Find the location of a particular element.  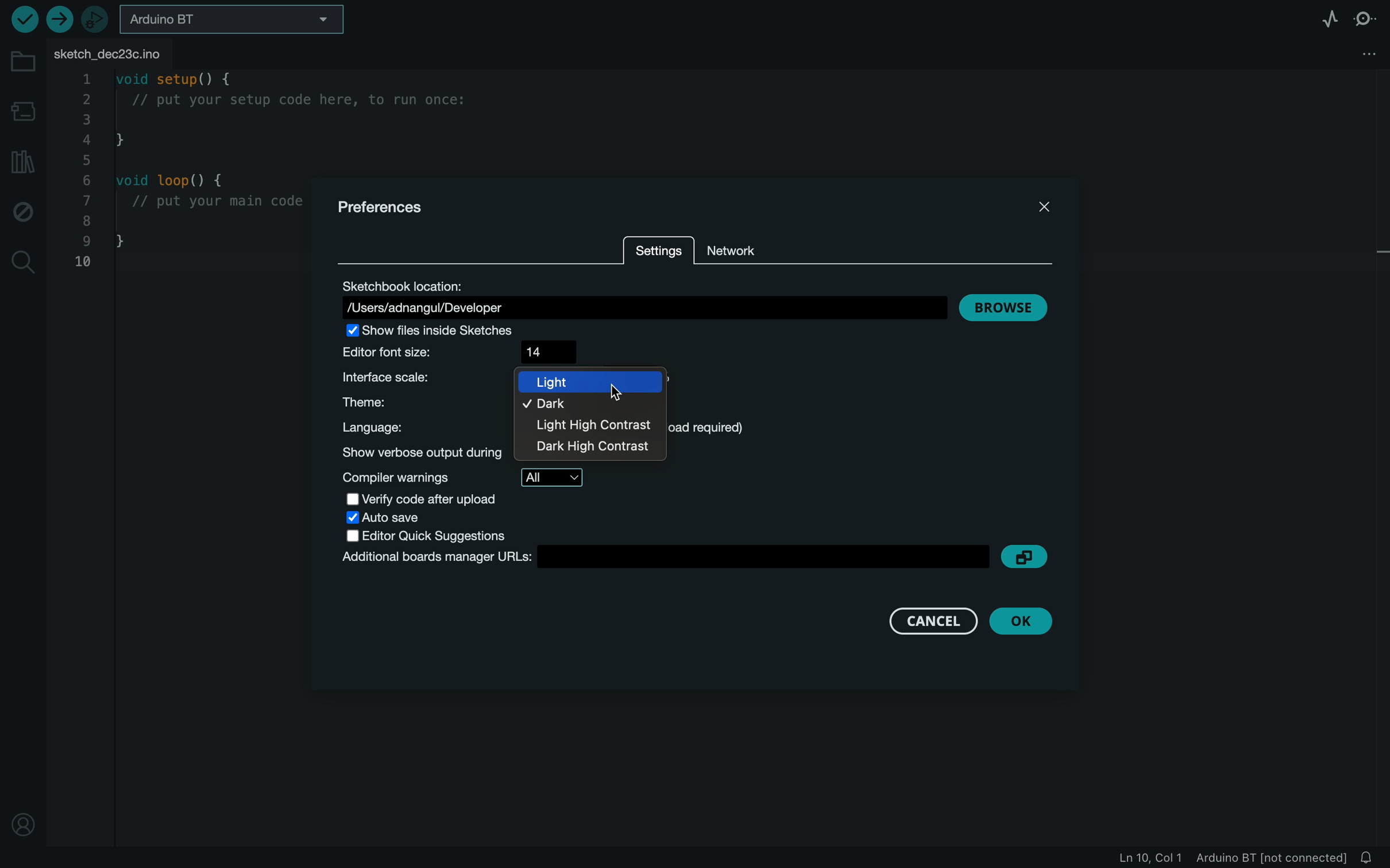

library manger is located at coordinates (21, 162).